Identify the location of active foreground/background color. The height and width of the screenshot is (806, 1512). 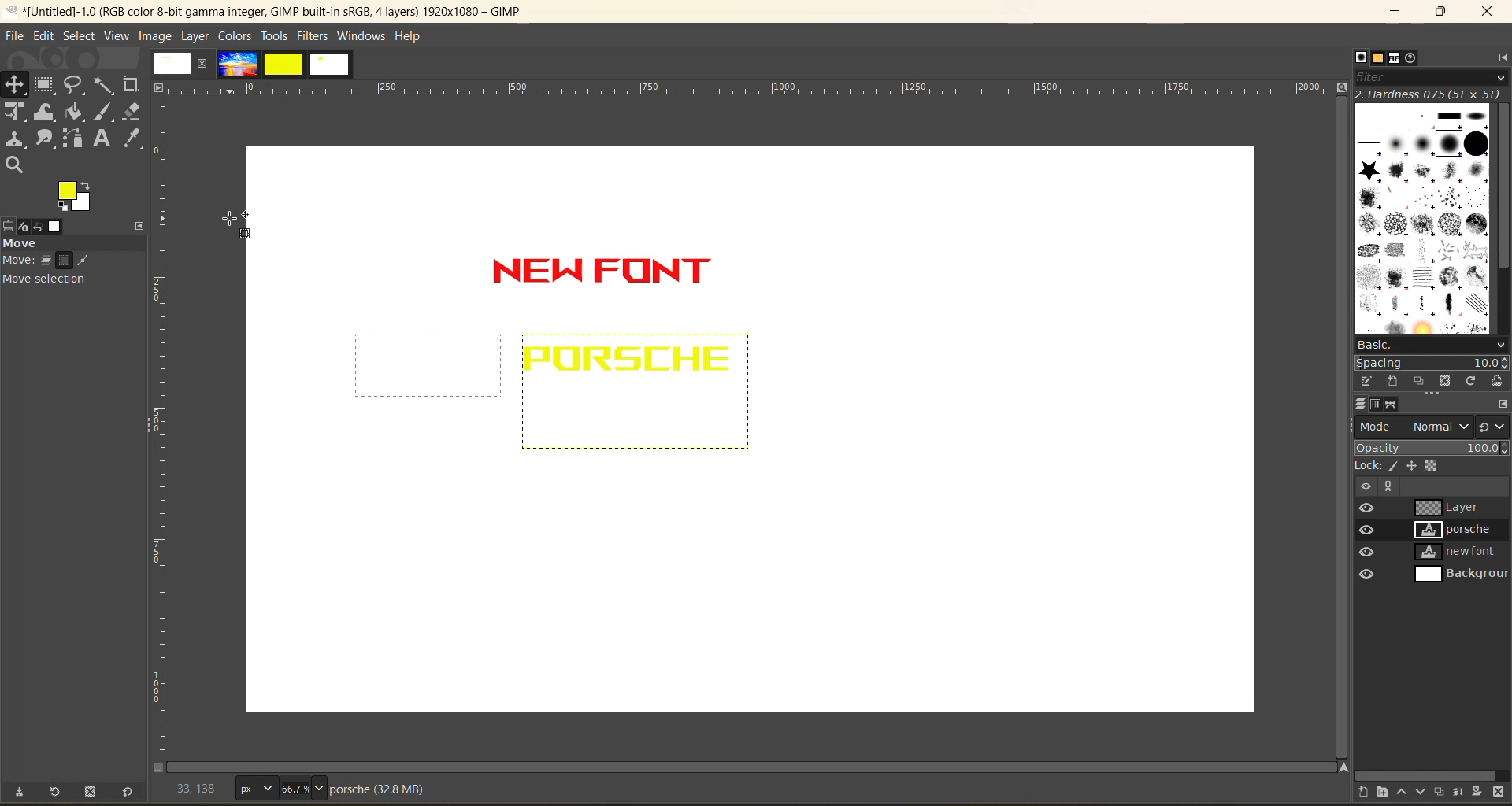
(75, 196).